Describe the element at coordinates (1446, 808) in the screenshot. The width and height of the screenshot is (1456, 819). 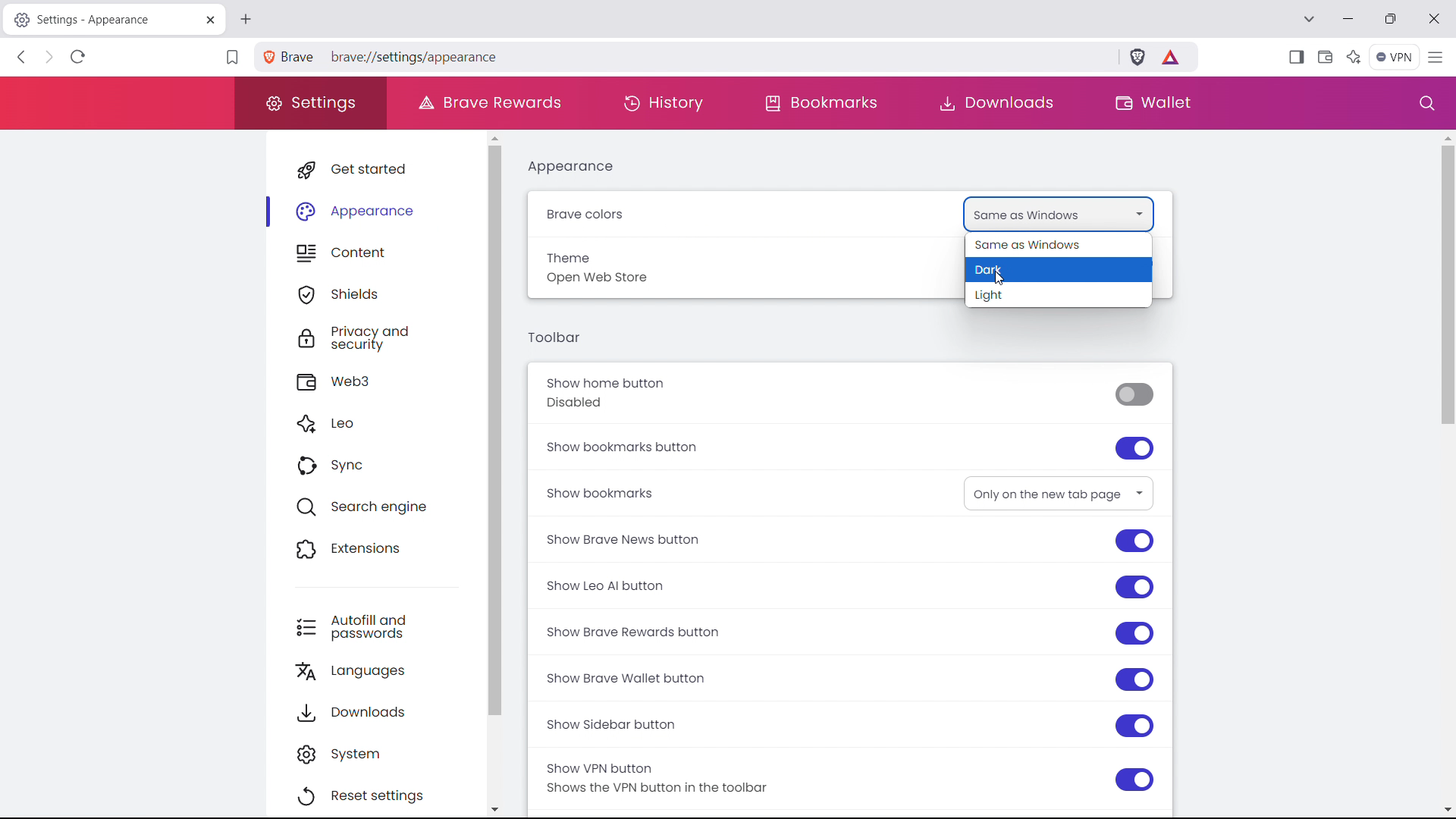
I see `scroll down` at that location.